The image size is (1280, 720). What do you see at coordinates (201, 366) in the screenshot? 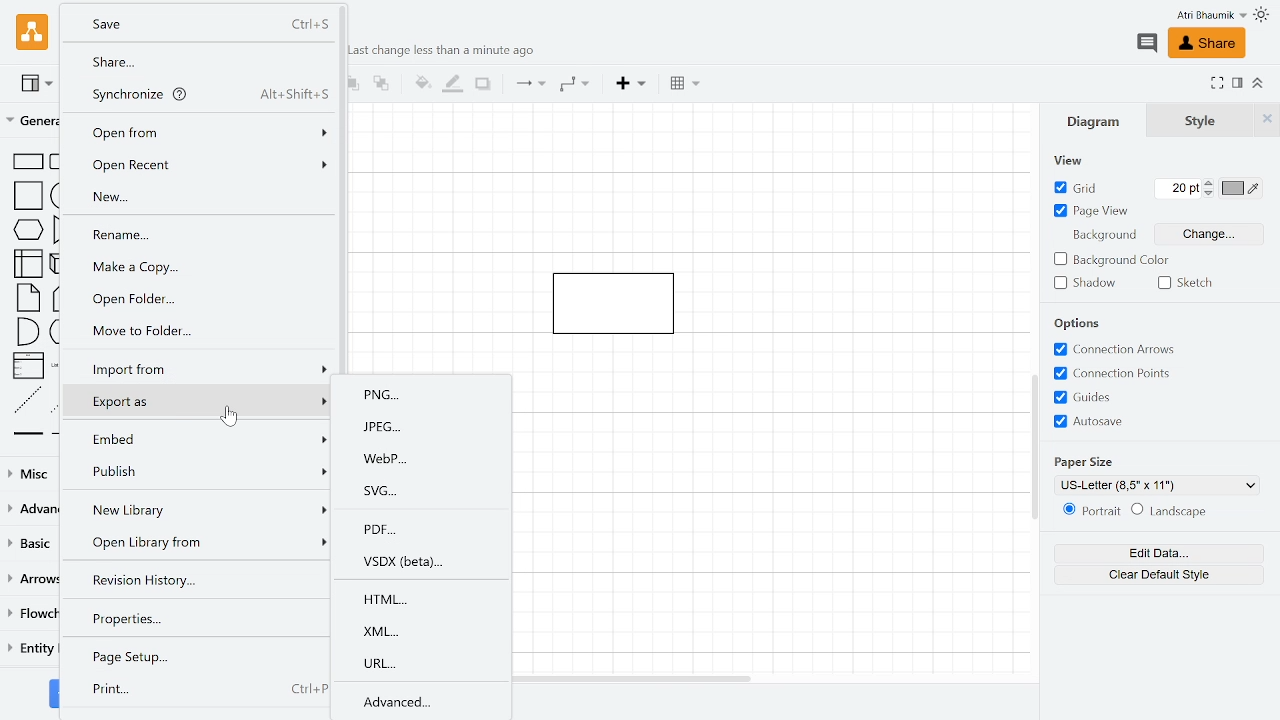
I see `Import form` at bounding box center [201, 366].